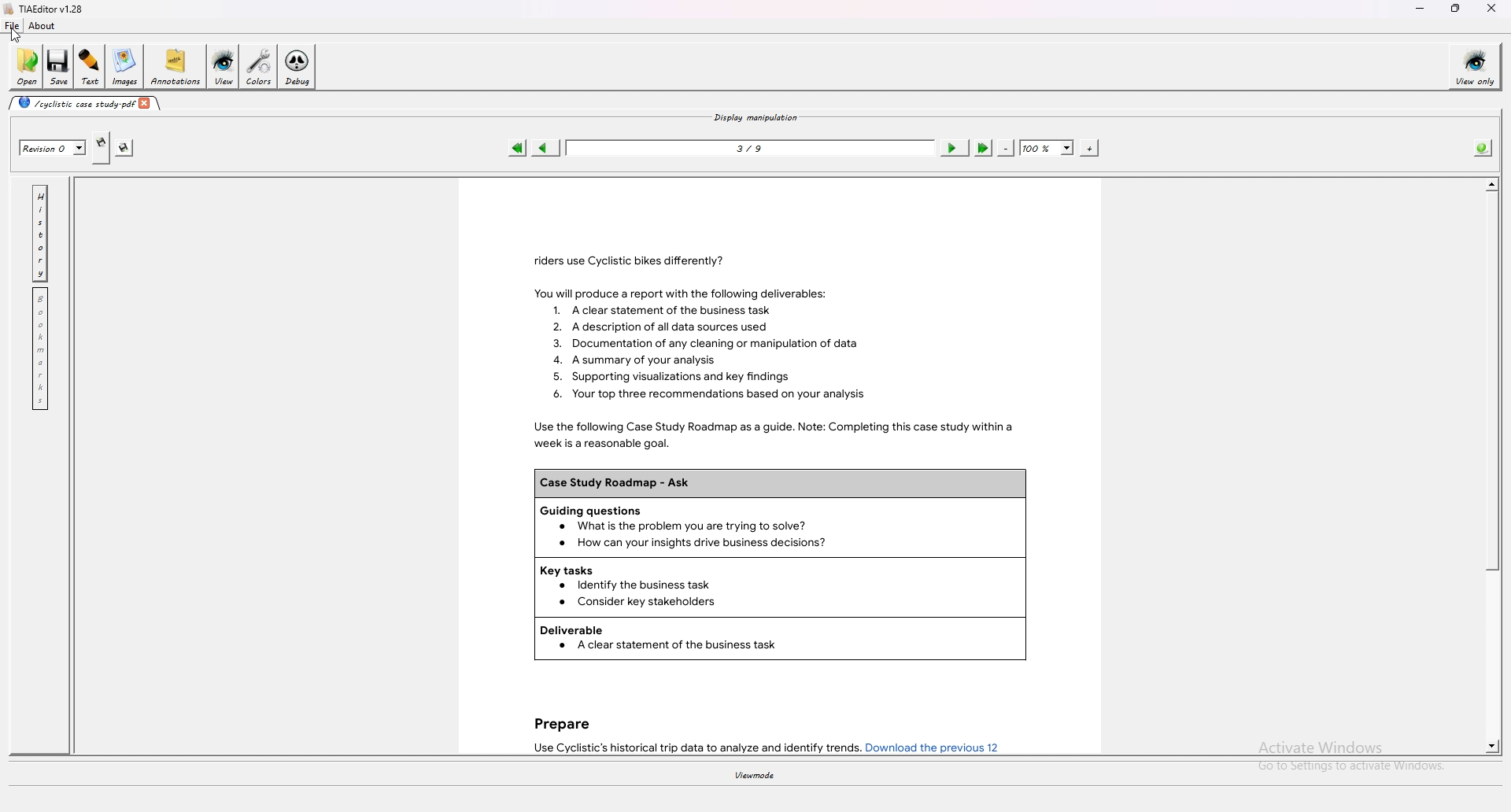  What do you see at coordinates (1492, 9) in the screenshot?
I see `close` at bounding box center [1492, 9].